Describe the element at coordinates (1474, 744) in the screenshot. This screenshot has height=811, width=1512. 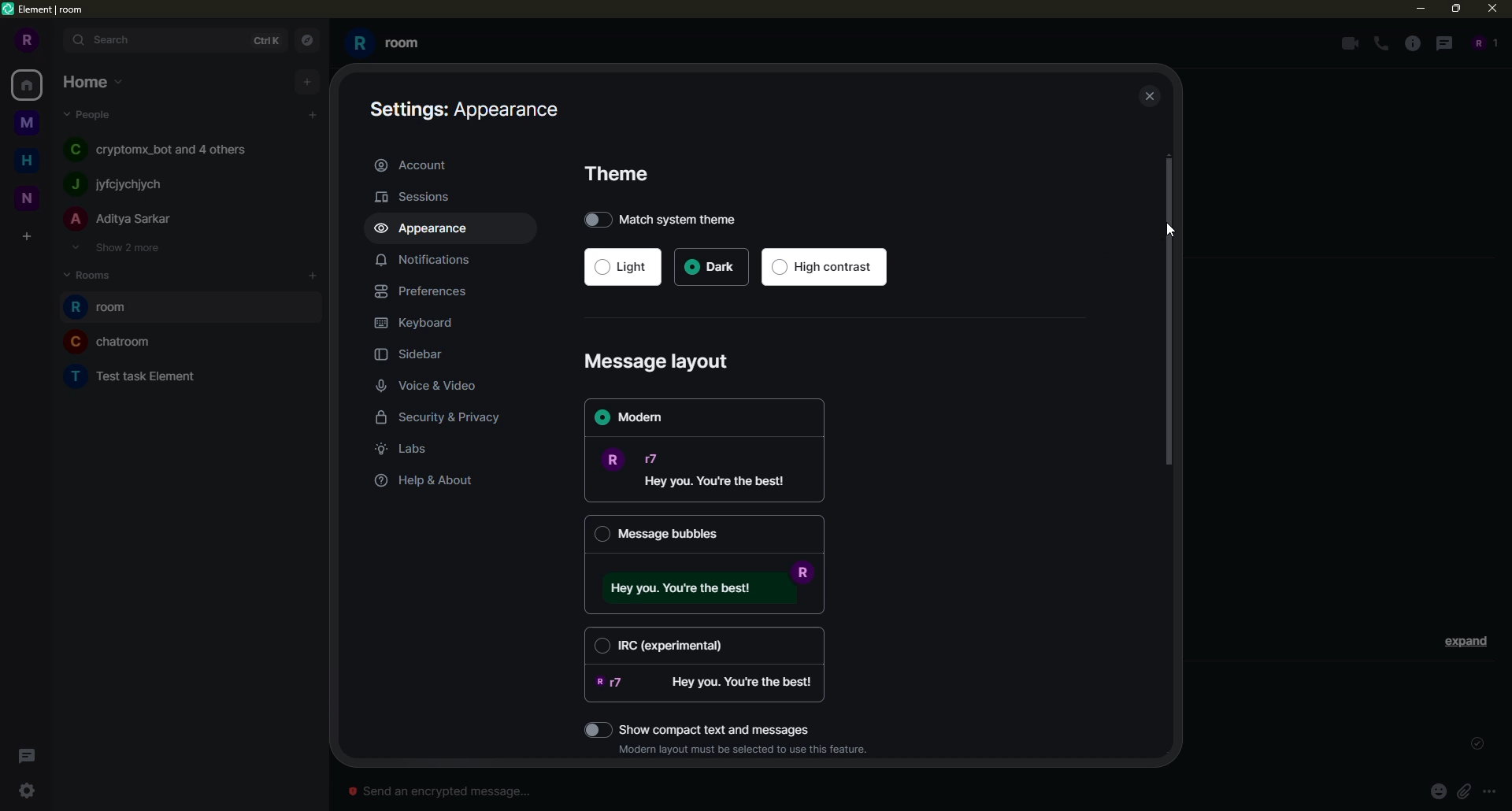
I see `sent` at that location.